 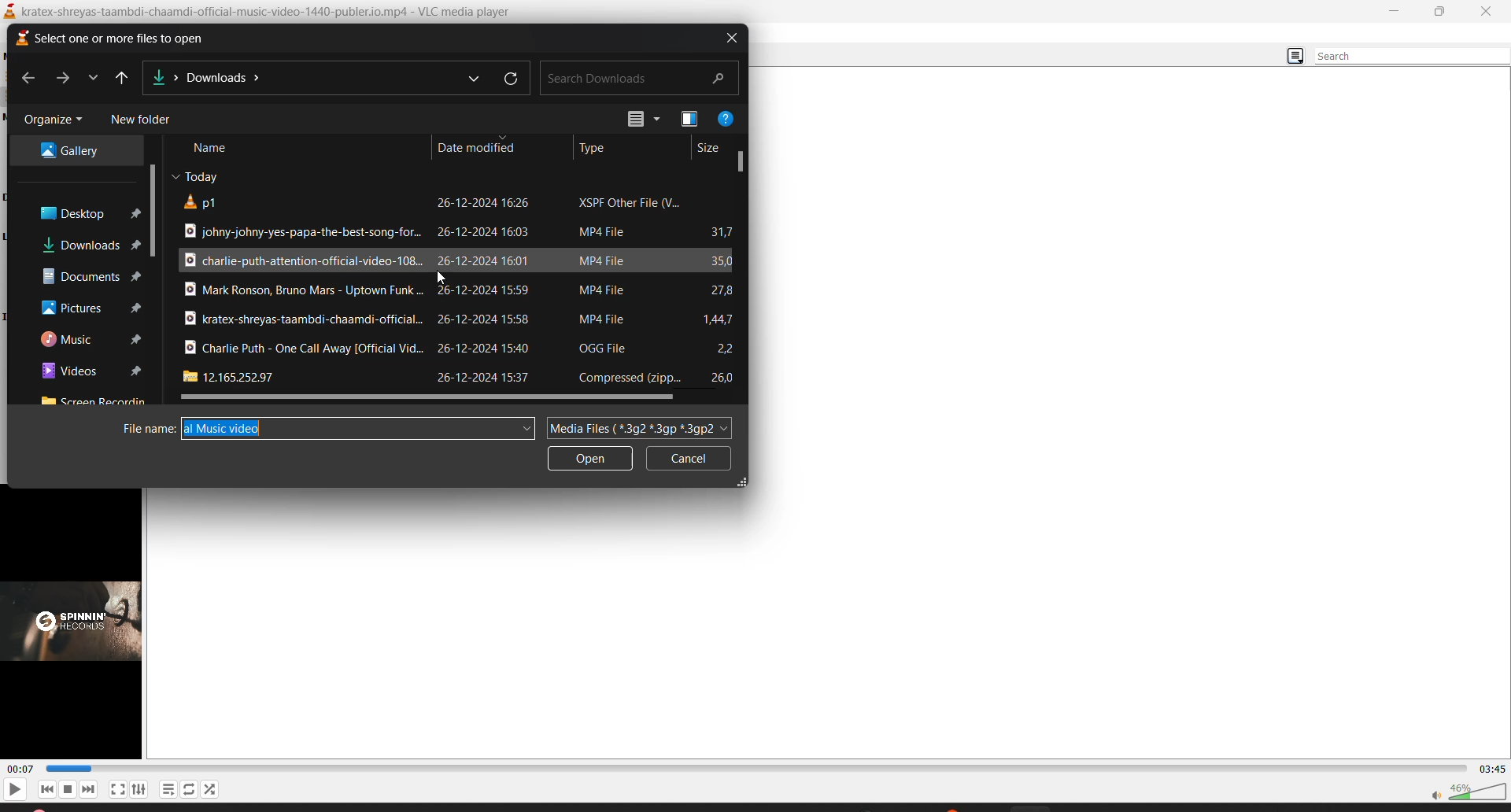 What do you see at coordinates (145, 122) in the screenshot?
I see `new folder` at bounding box center [145, 122].